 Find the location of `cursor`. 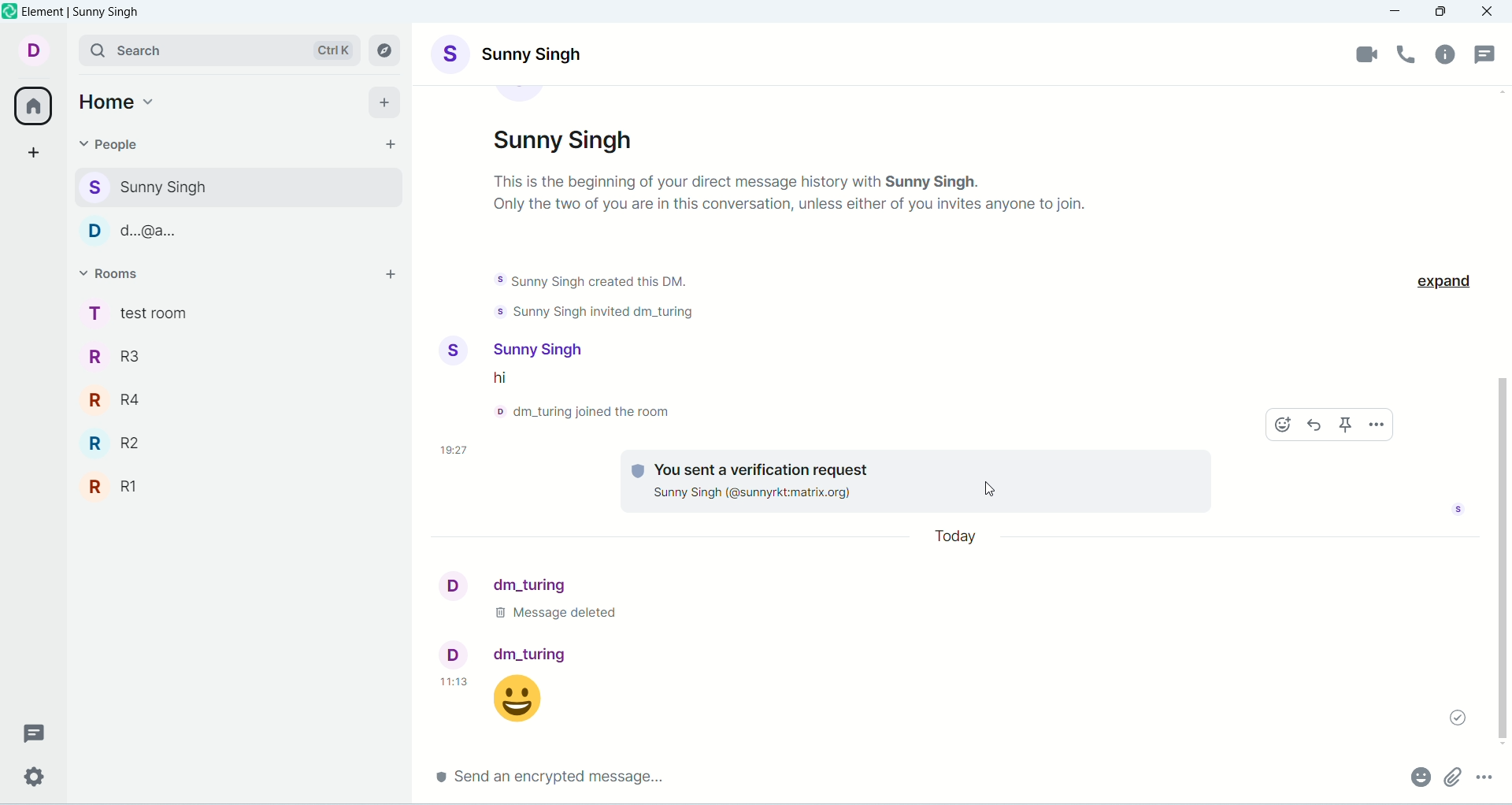

cursor is located at coordinates (989, 488).